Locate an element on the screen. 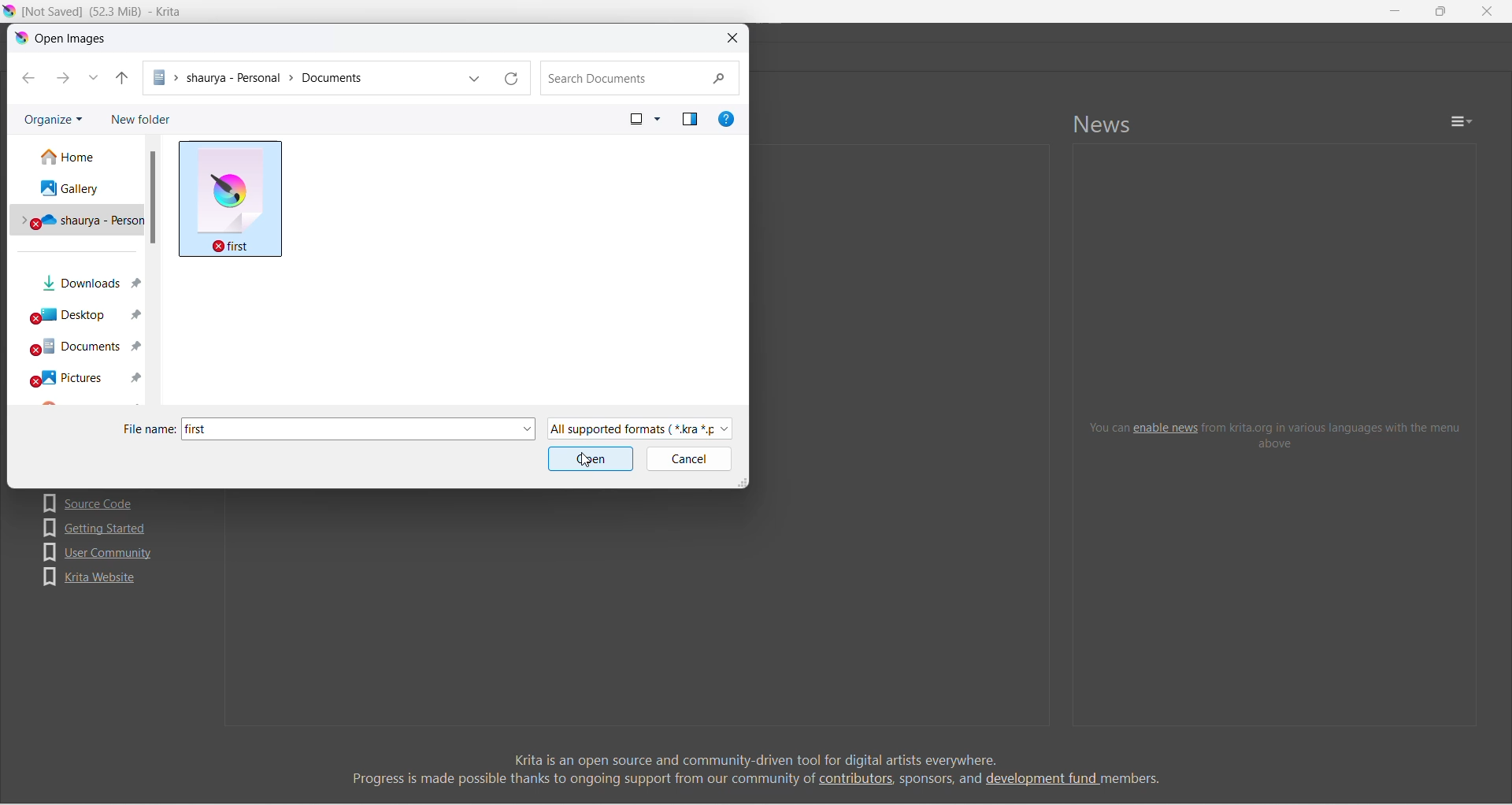  Get help is located at coordinates (726, 119).